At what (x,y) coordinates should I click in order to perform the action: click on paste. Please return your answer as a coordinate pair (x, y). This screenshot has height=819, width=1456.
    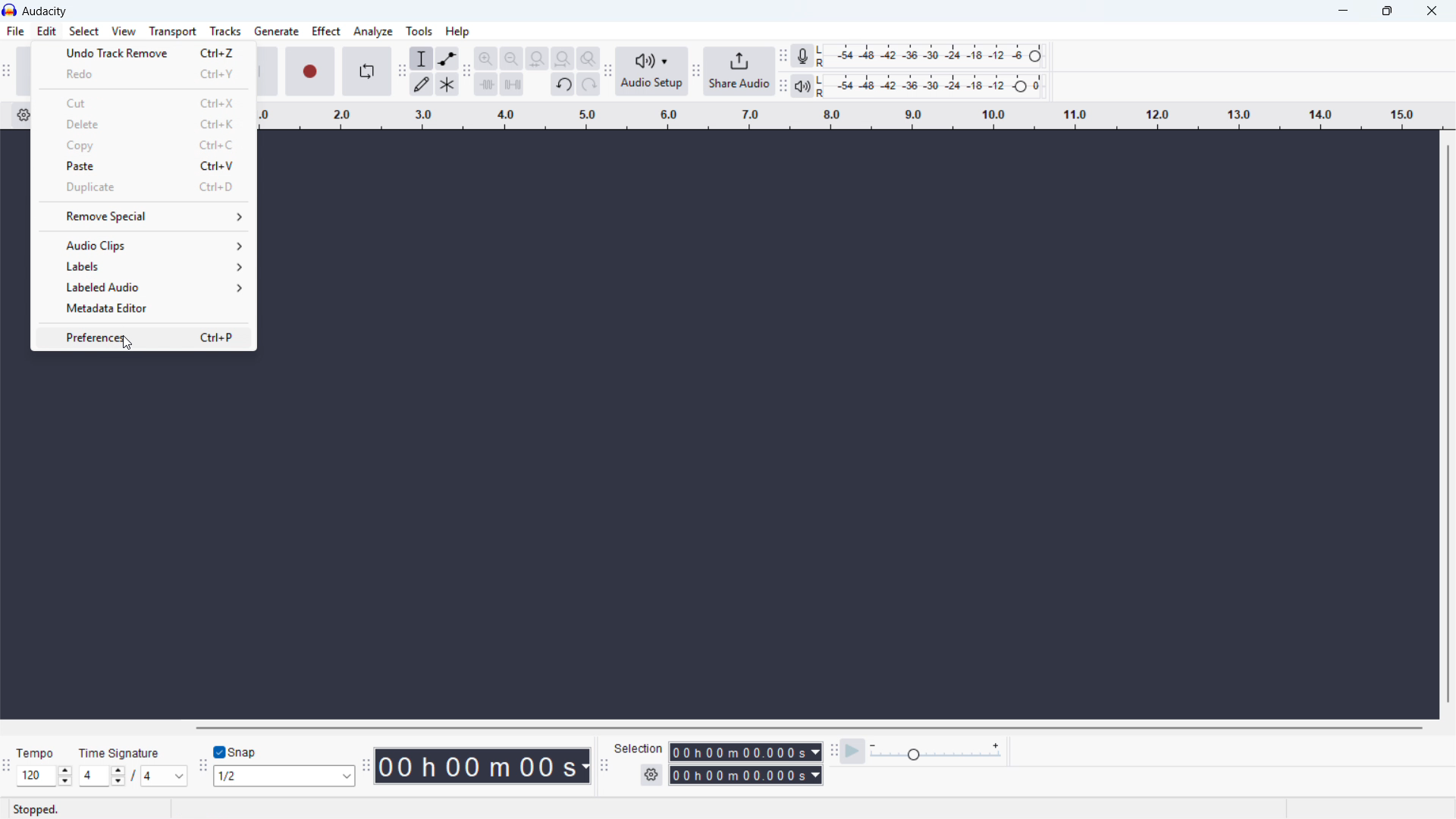
    Looking at the image, I should click on (143, 166).